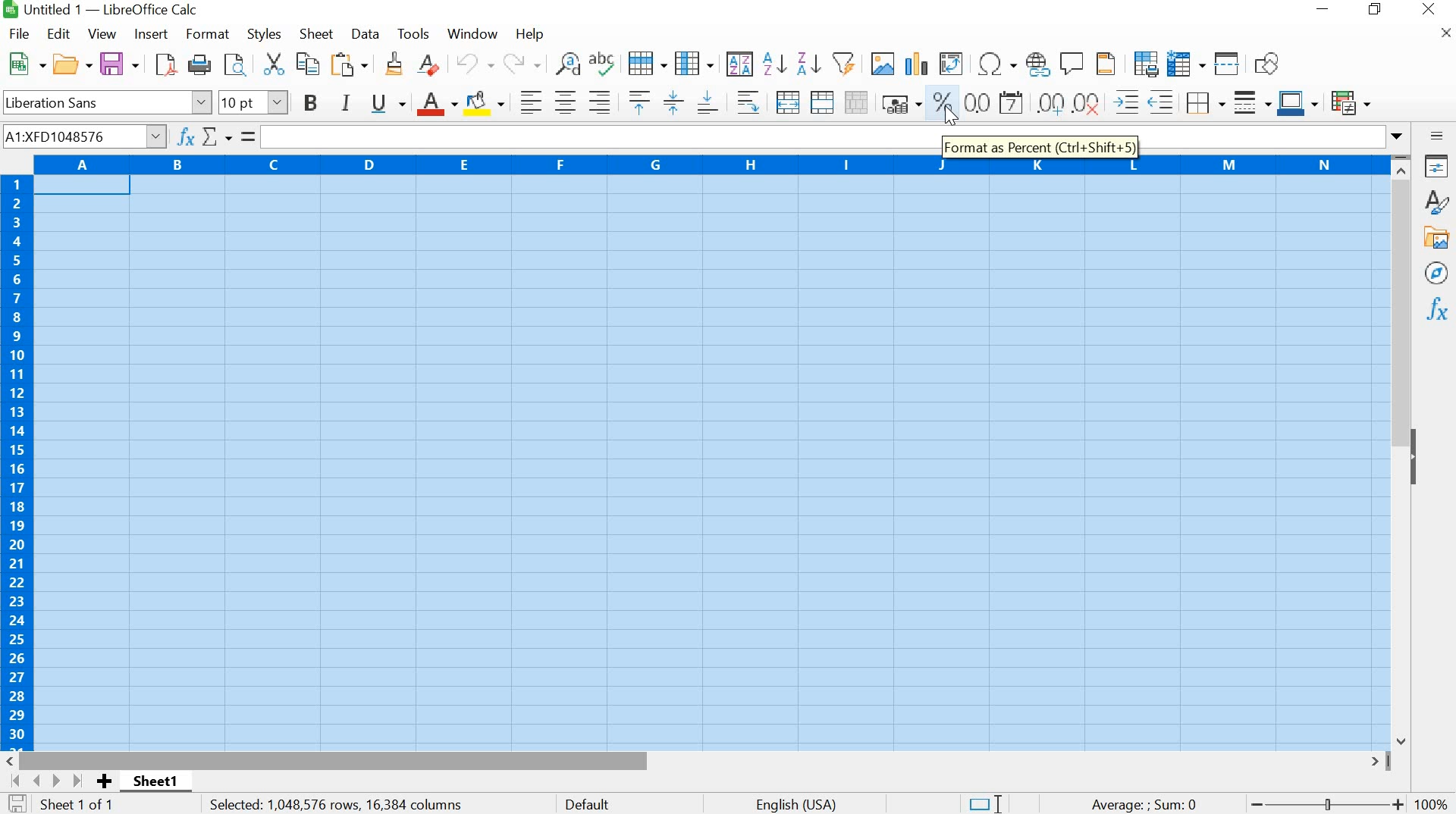 The image size is (1456, 814). I want to click on Insert chart, so click(915, 64).